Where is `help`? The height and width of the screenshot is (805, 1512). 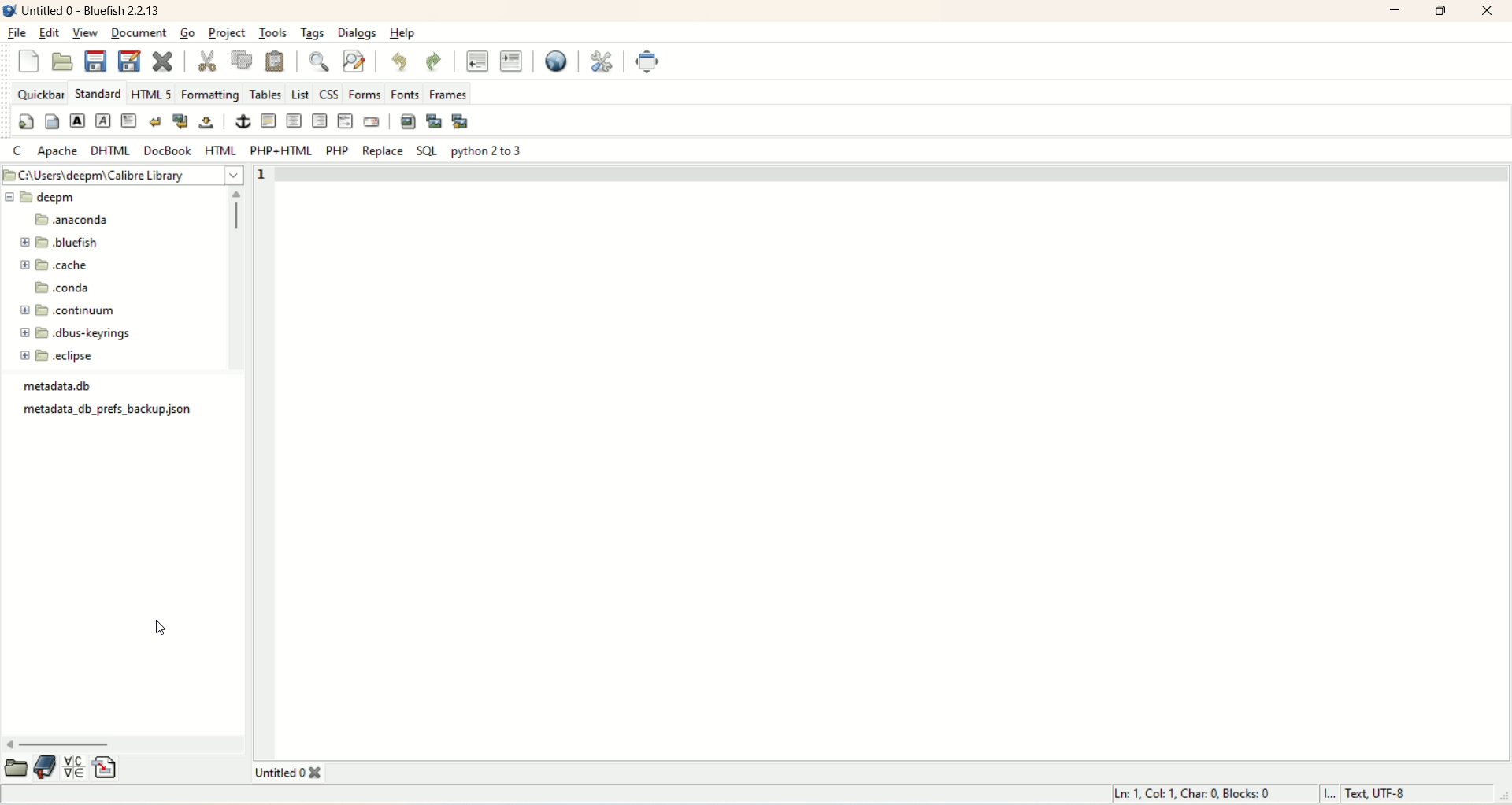
help is located at coordinates (401, 35).